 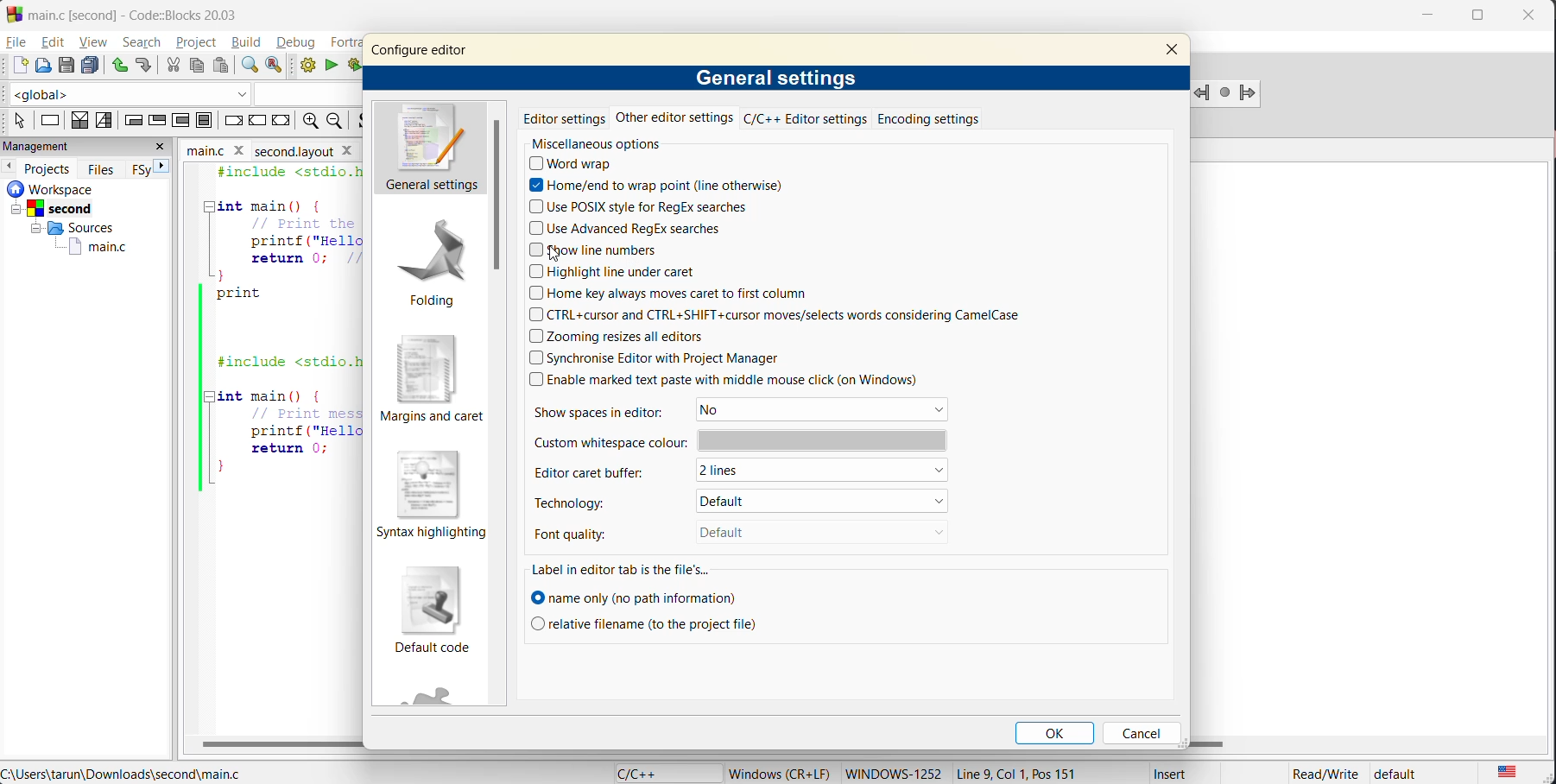 What do you see at coordinates (1534, 15) in the screenshot?
I see `close` at bounding box center [1534, 15].